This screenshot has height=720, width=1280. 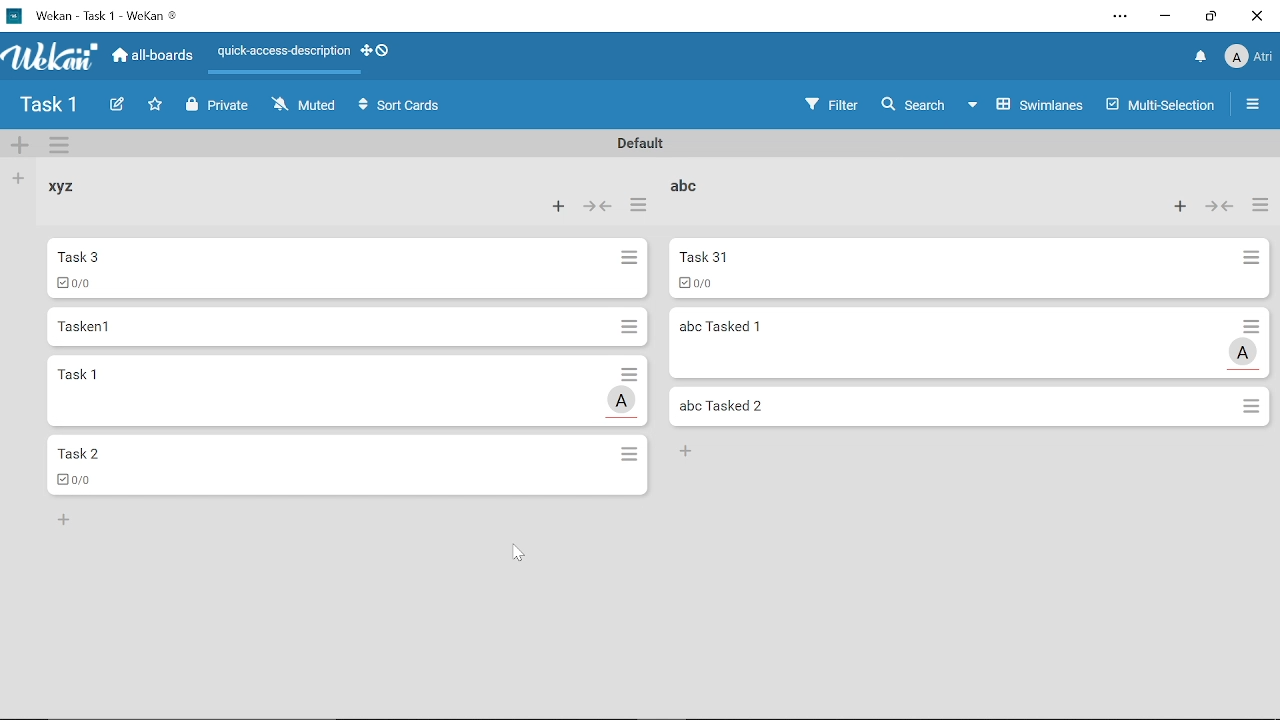 I want to click on more, so click(x=639, y=206).